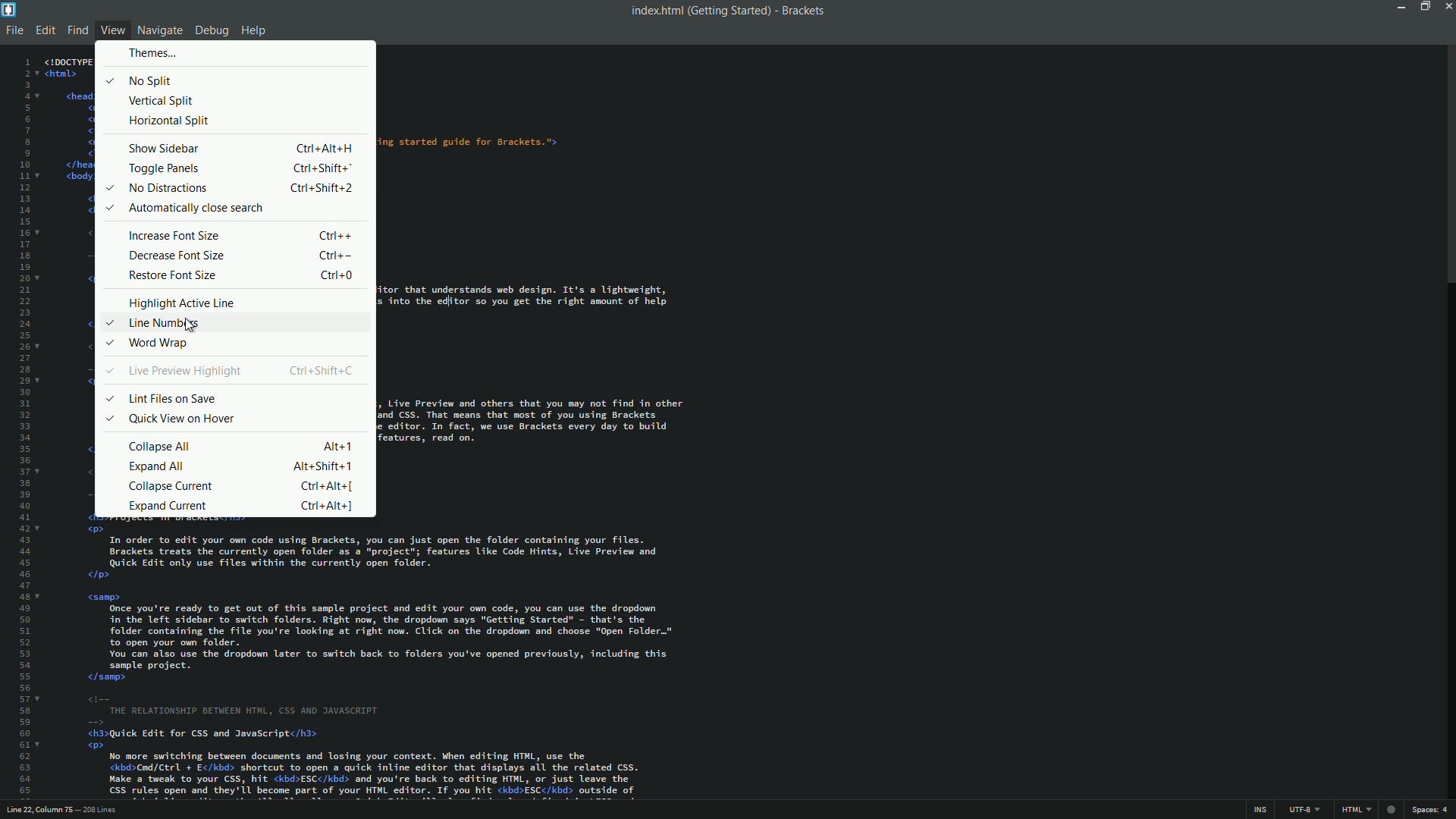 The height and width of the screenshot is (819, 1456). I want to click on cursor, so click(191, 327).